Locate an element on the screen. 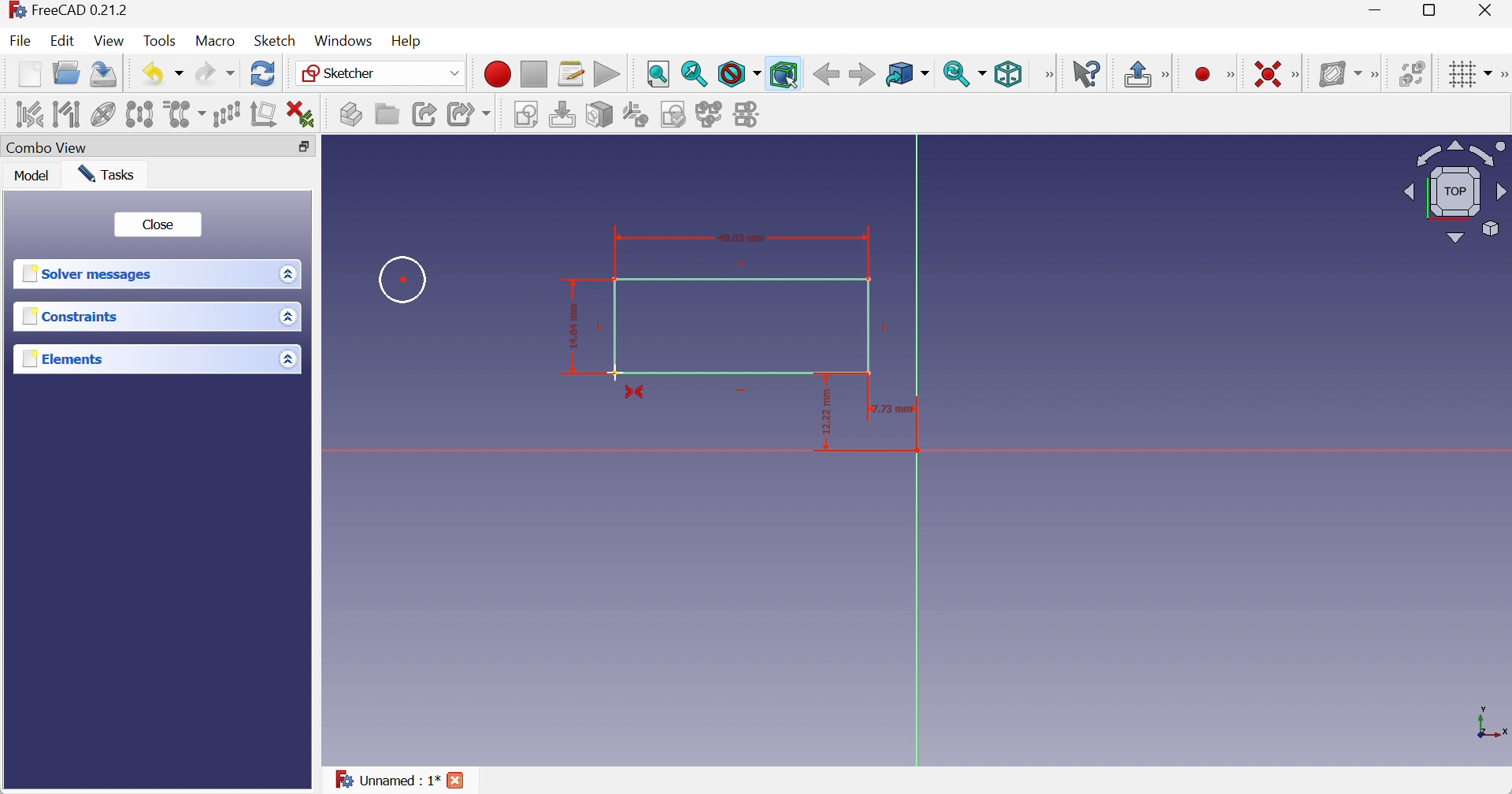 The height and width of the screenshot is (794, 1512). Viewing angle is located at coordinates (1455, 194).